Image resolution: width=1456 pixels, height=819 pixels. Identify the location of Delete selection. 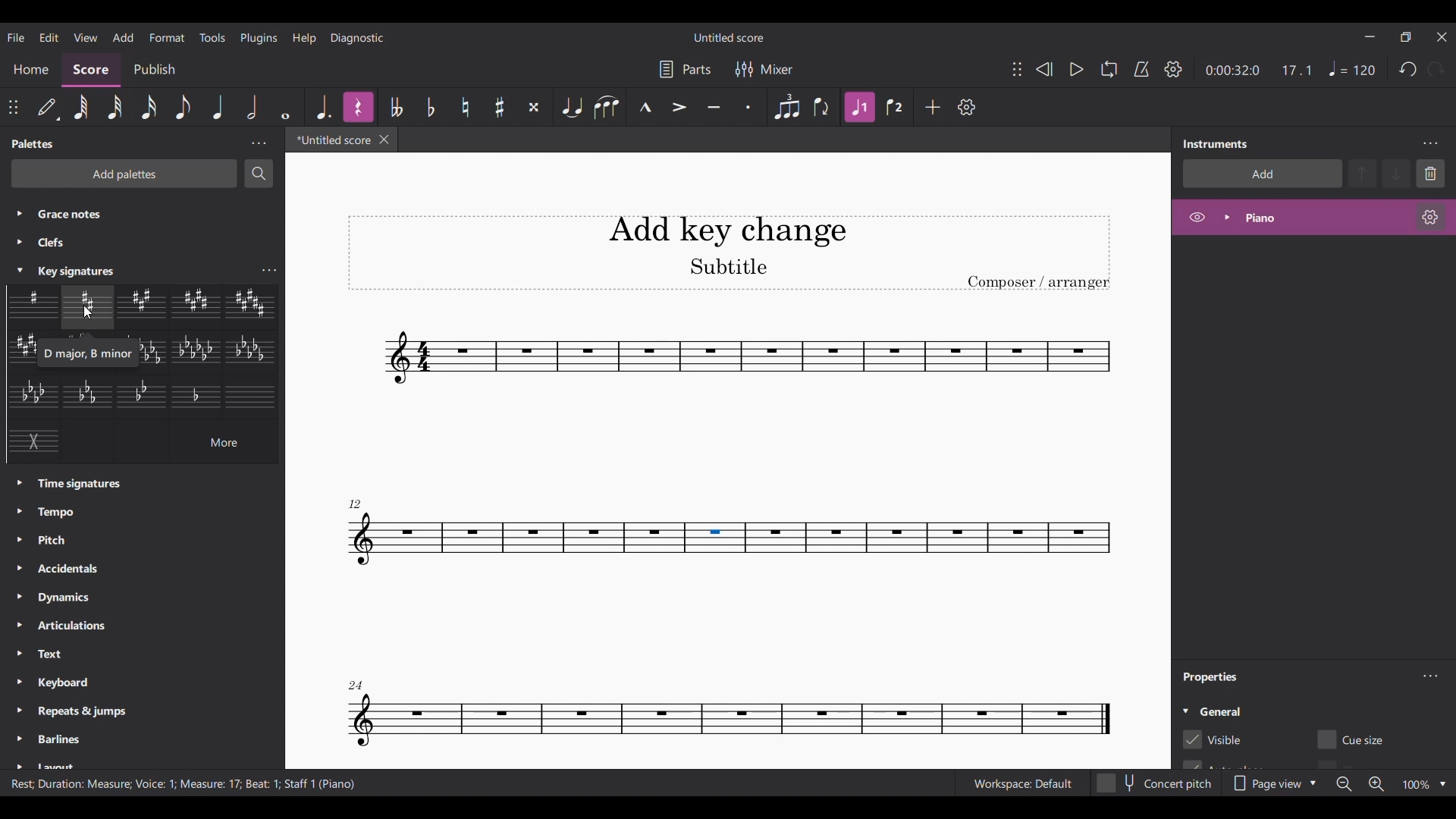
(1430, 174).